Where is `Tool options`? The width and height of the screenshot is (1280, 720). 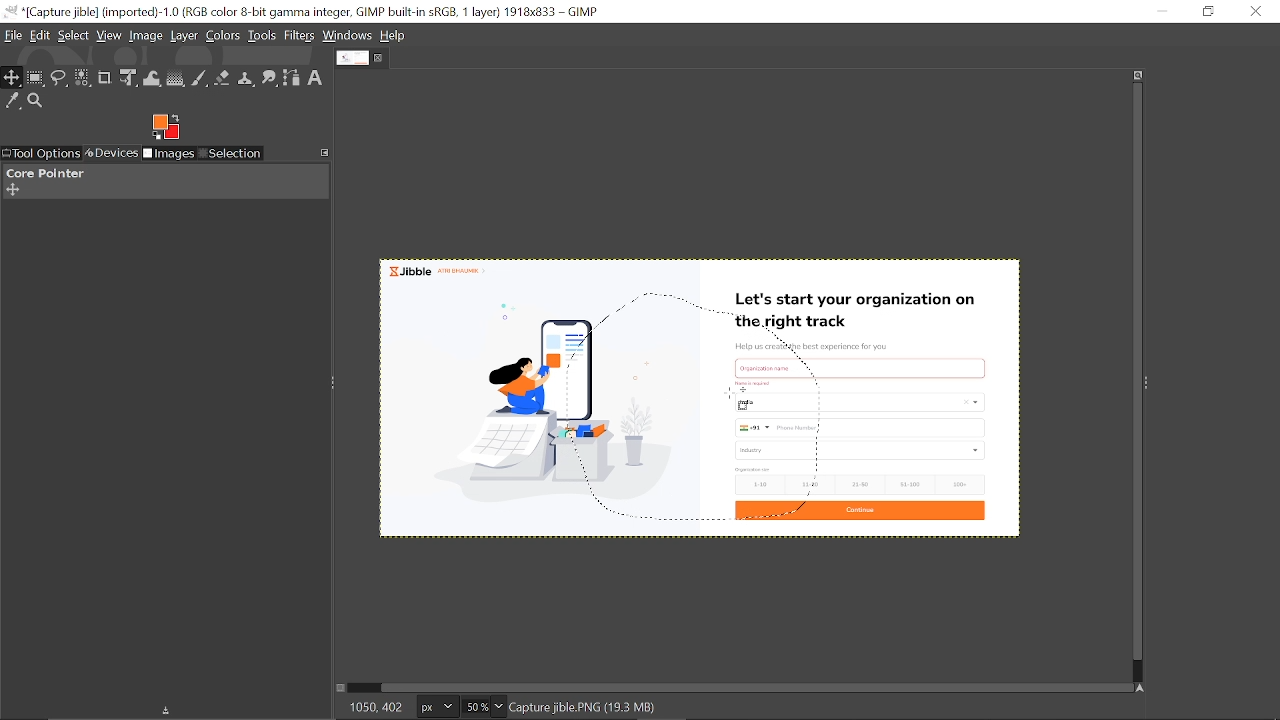
Tool options is located at coordinates (40, 154).